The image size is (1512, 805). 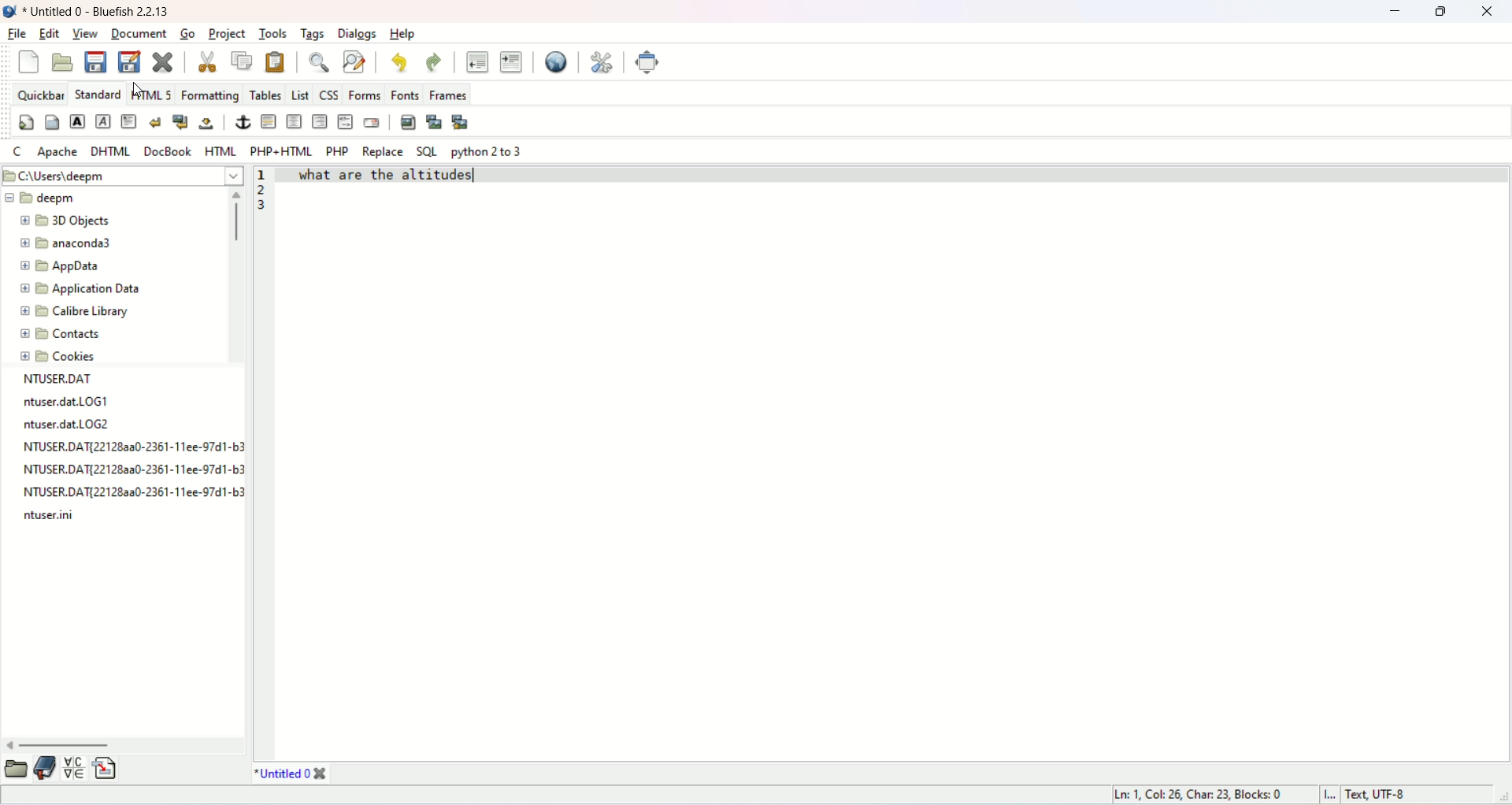 What do you see at coordinates (125, 744) in the screenshot?
I see `horizontal scroll bar` at bounding box center [125, 744].